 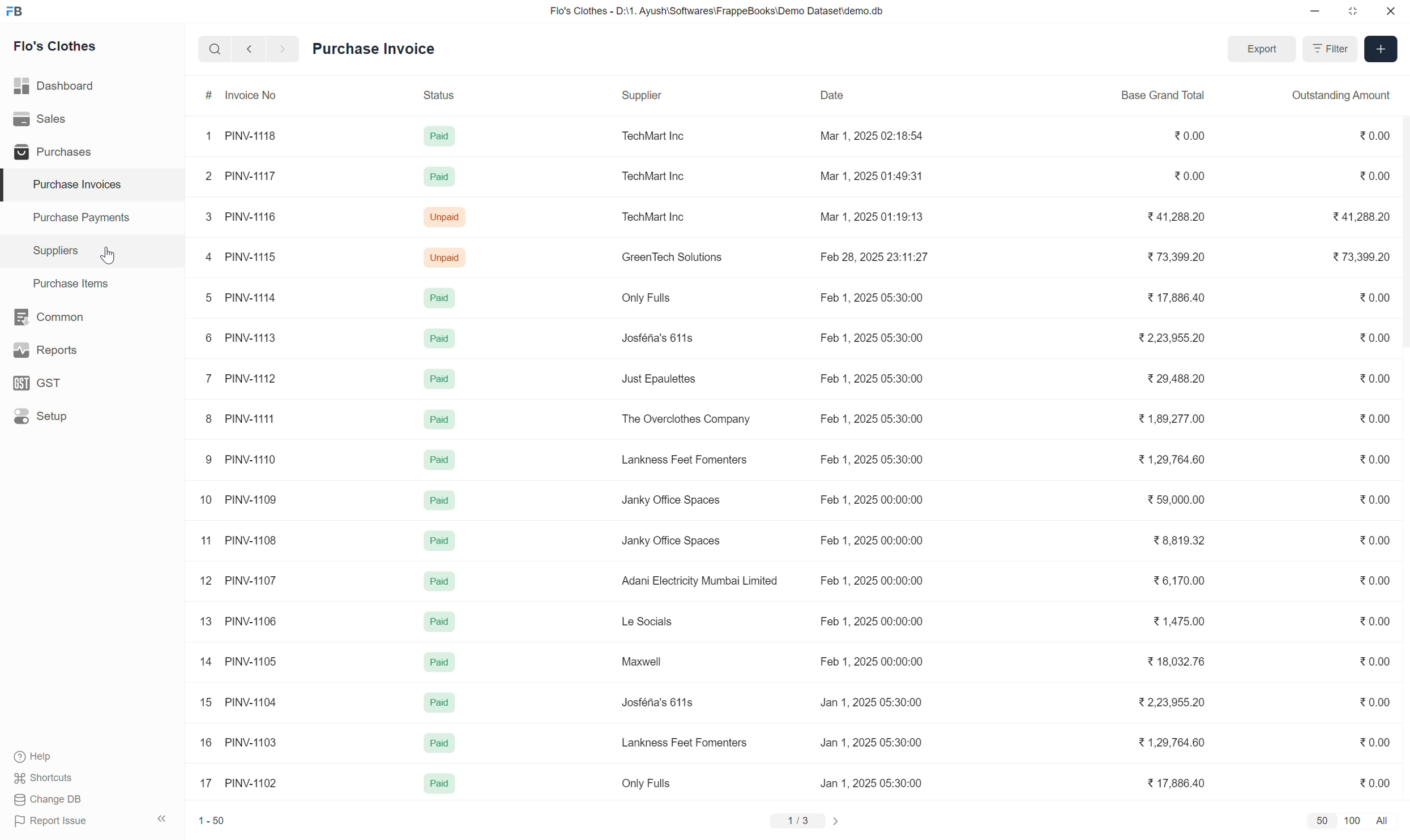 What do you see at coordinates (435, 333) in the screenshot?
I see `Paid` at bounding box center [435, 333].